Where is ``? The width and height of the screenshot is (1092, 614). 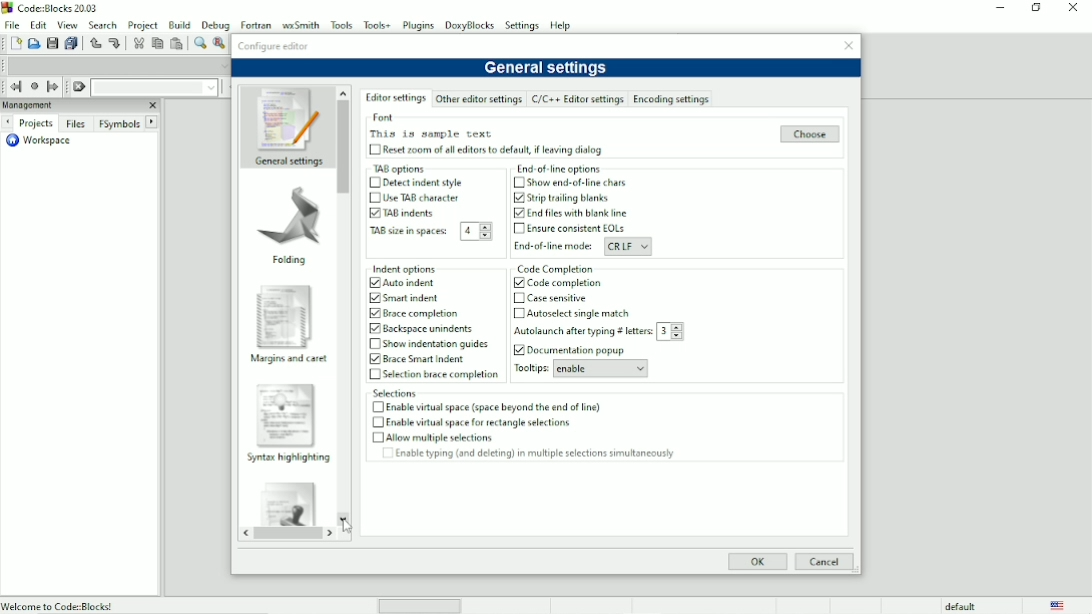  is located at coordinates (372, 313).